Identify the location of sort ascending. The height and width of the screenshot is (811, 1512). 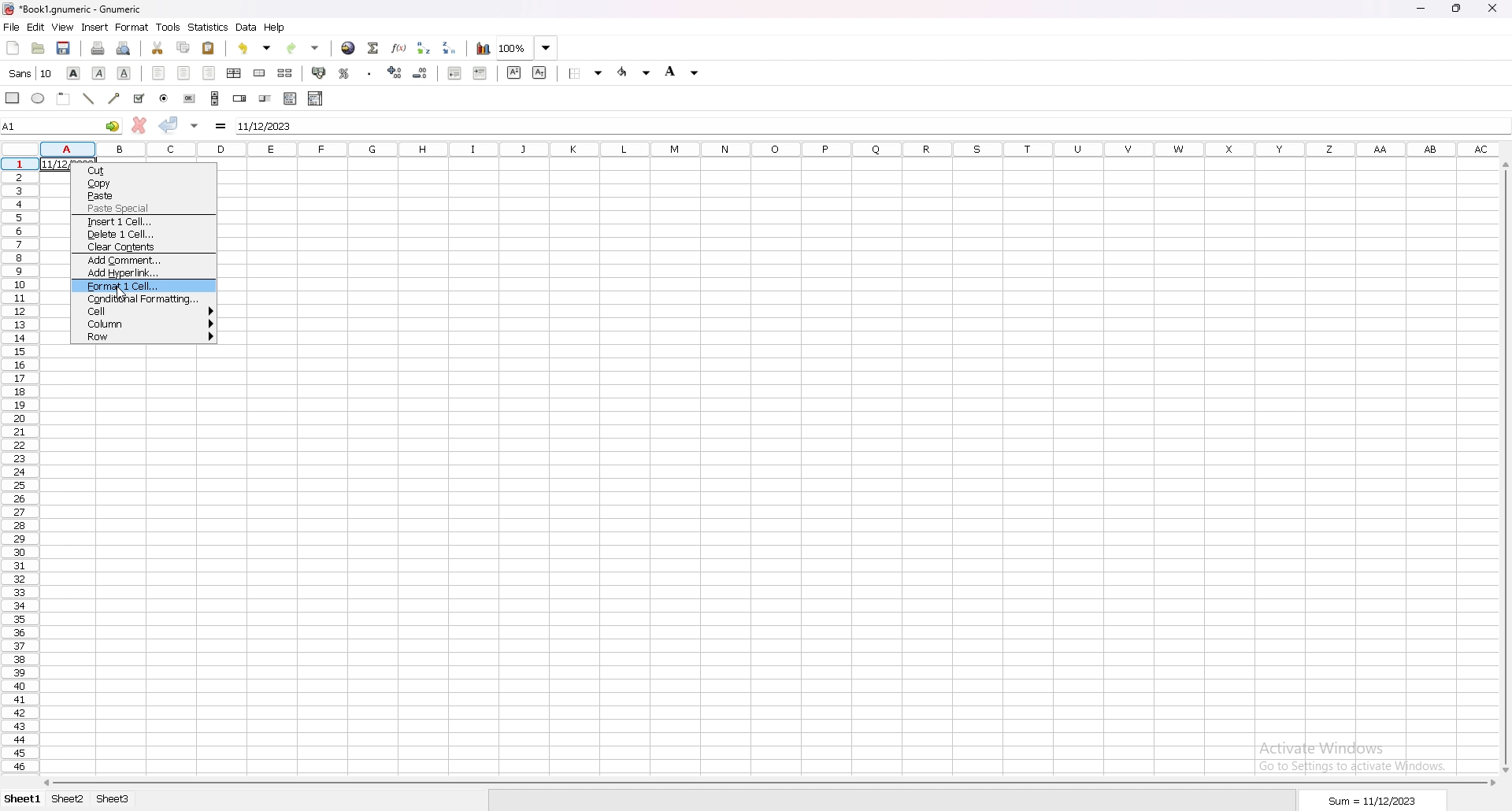
(424, 47).